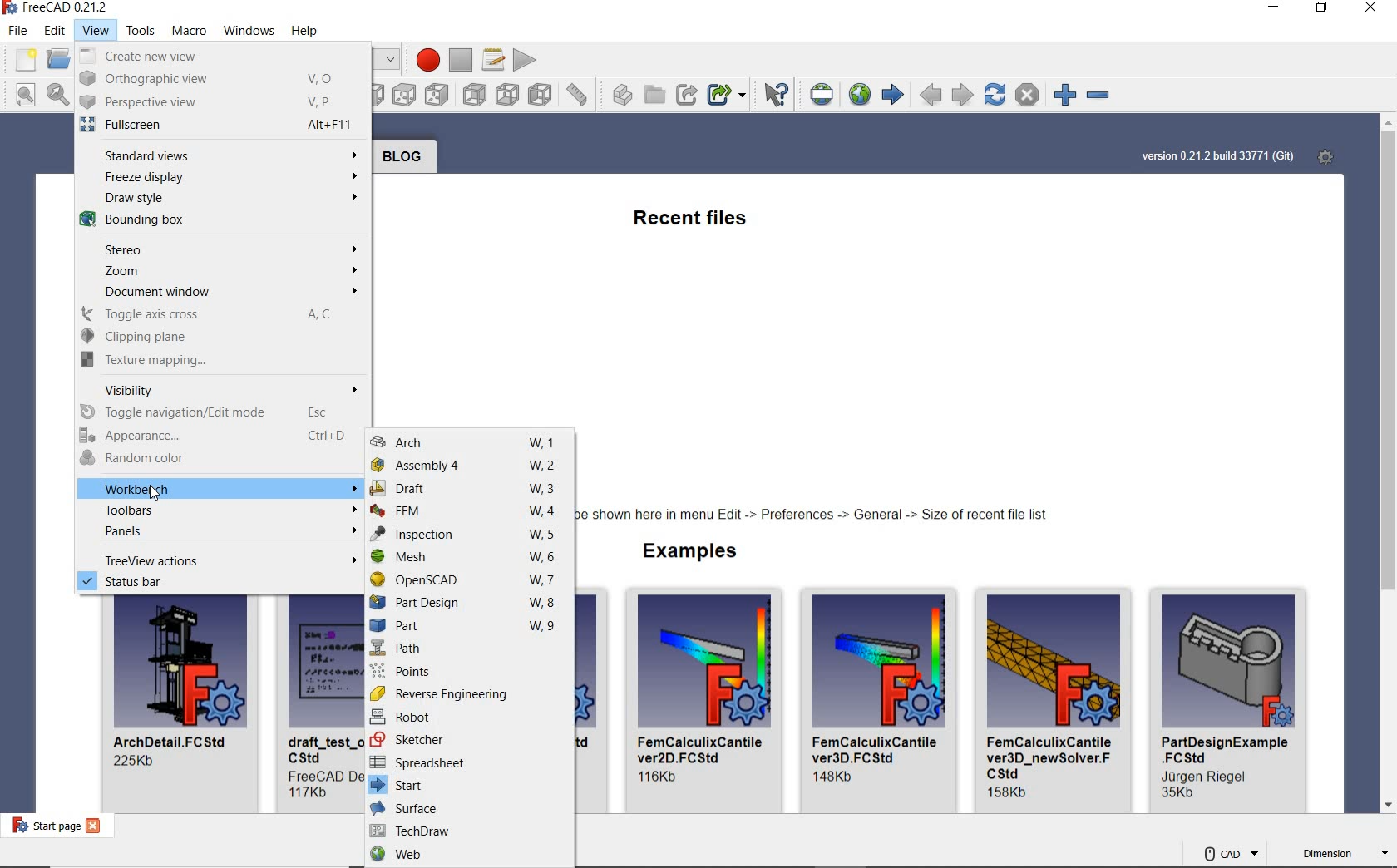 The image size is (1397, 868). Describe the element at coordinates (60, 62) in the screenshot. I see `open` at that location.